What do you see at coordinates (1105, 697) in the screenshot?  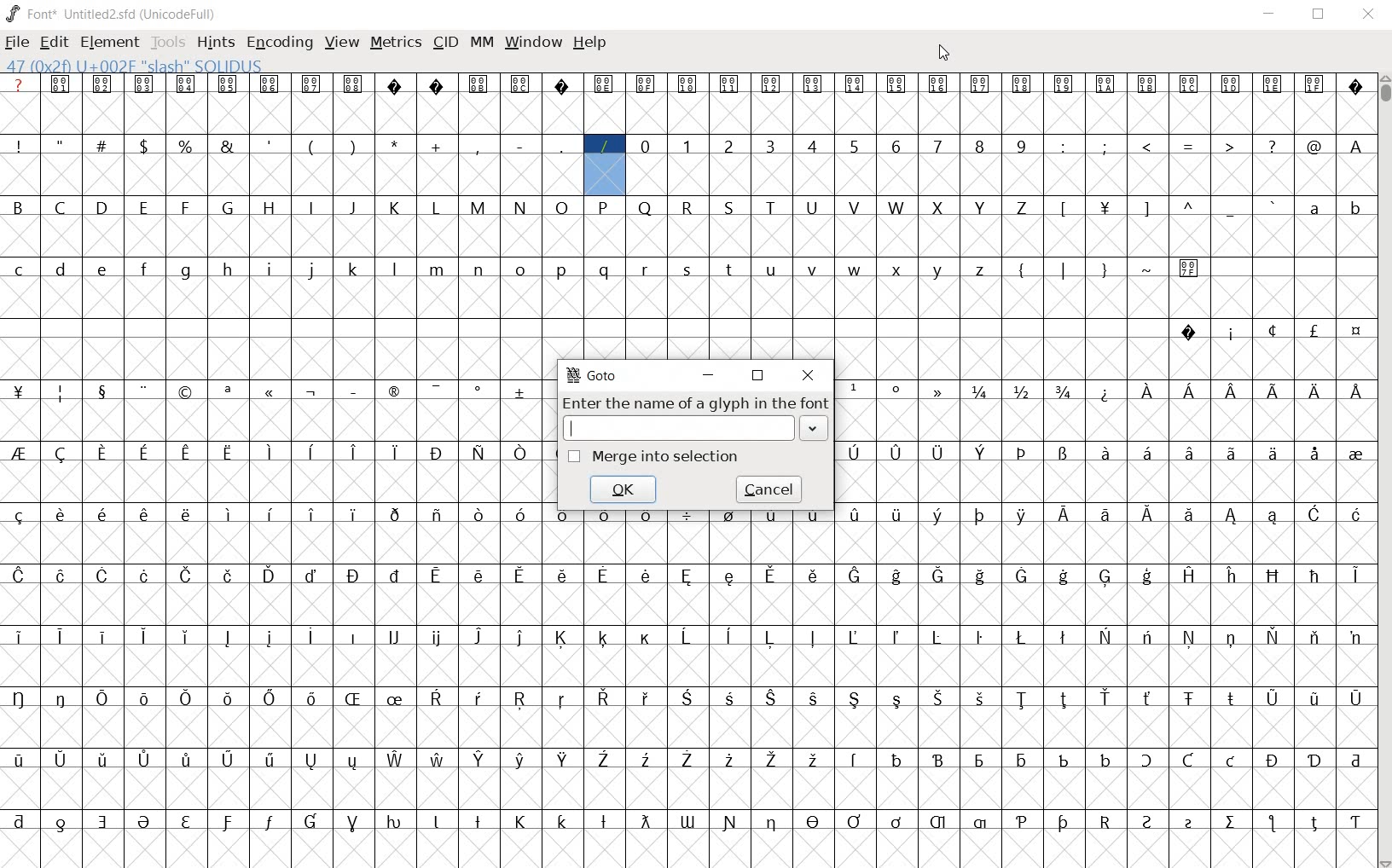 I see `glyph` at bounding box center [1105, 697].